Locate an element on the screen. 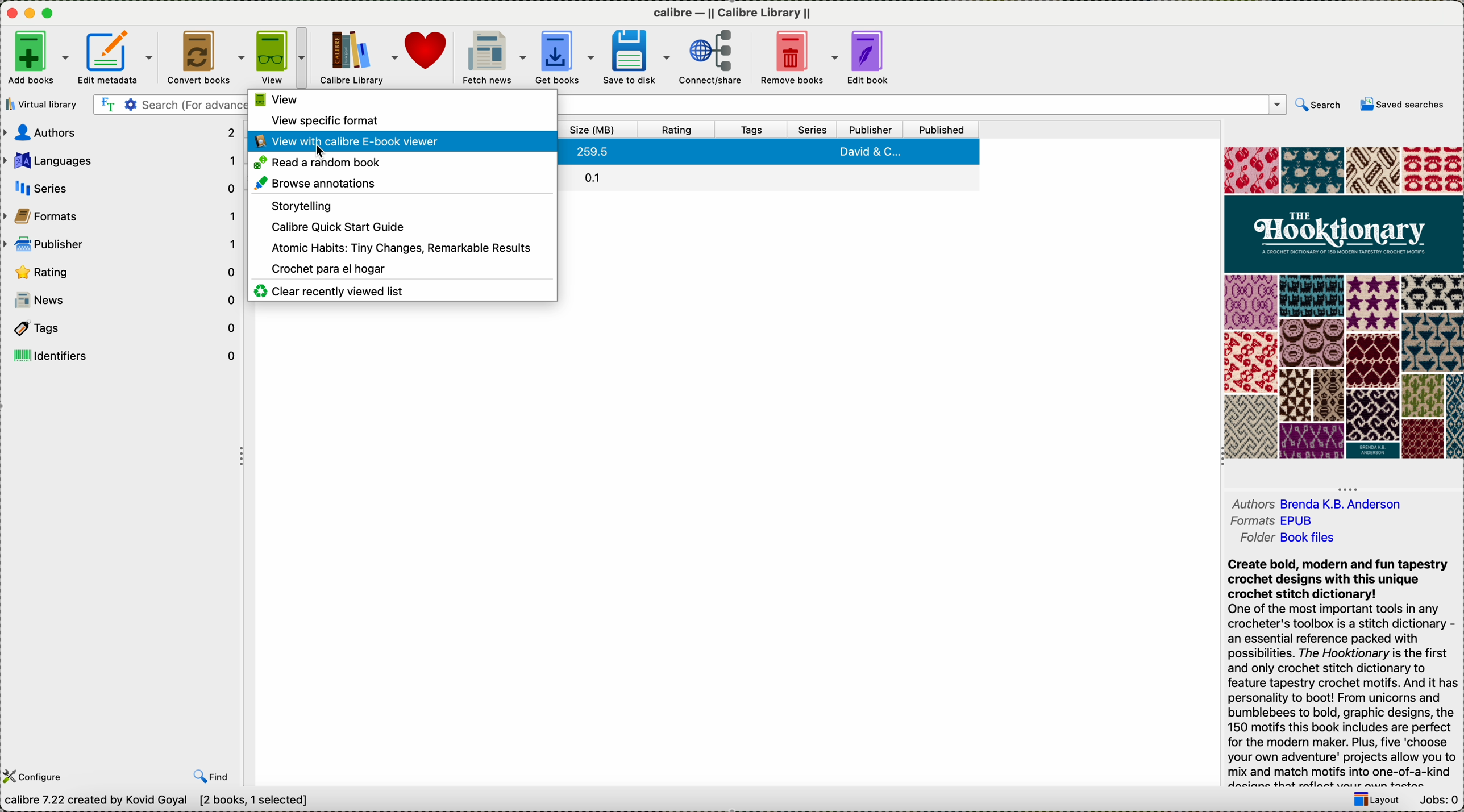  identifiers is located at coordinates (122, 354).